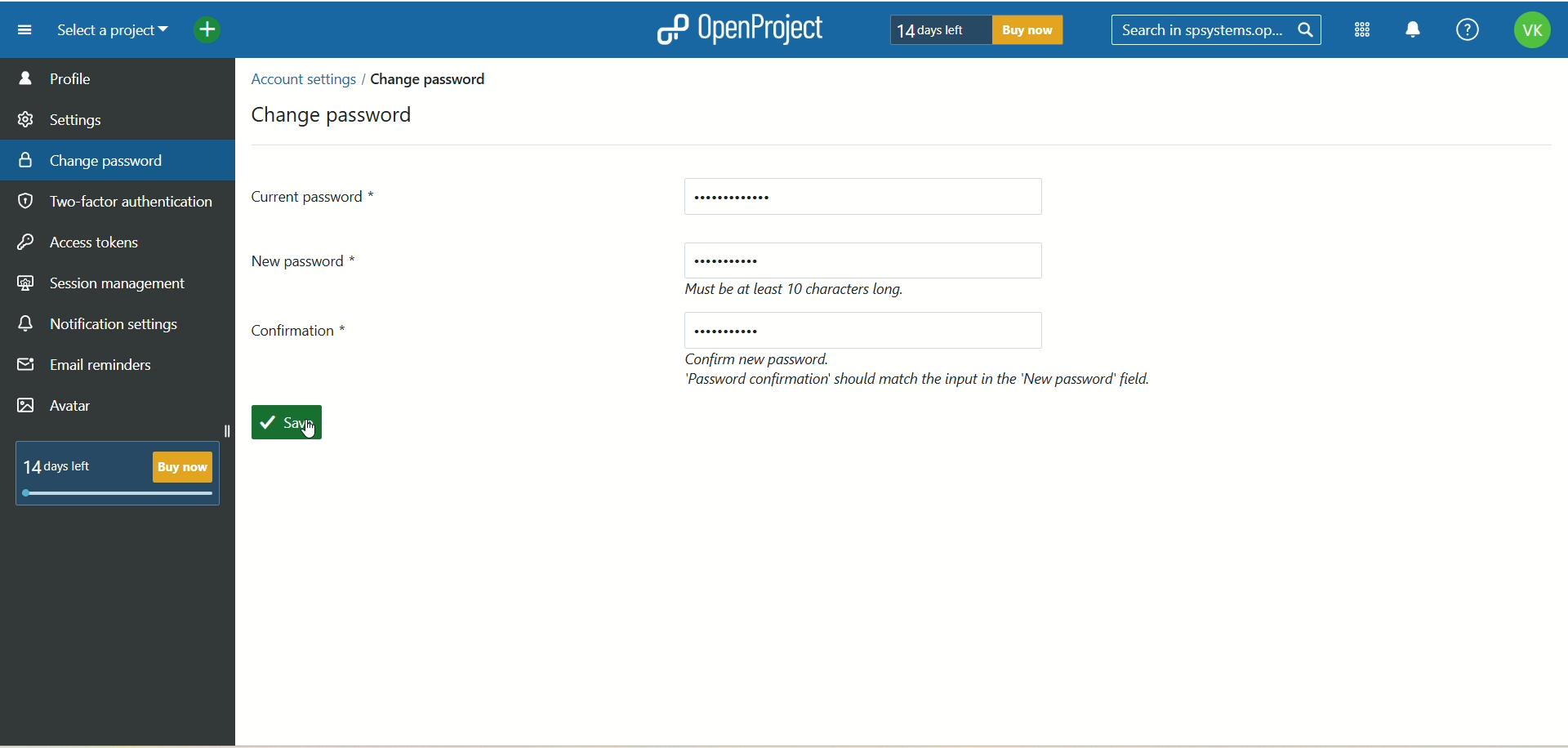 This screenshot has height=748, width=1568. Describe the element at coordinates (865, 330) in the screenshot. I see `new password` at that location.